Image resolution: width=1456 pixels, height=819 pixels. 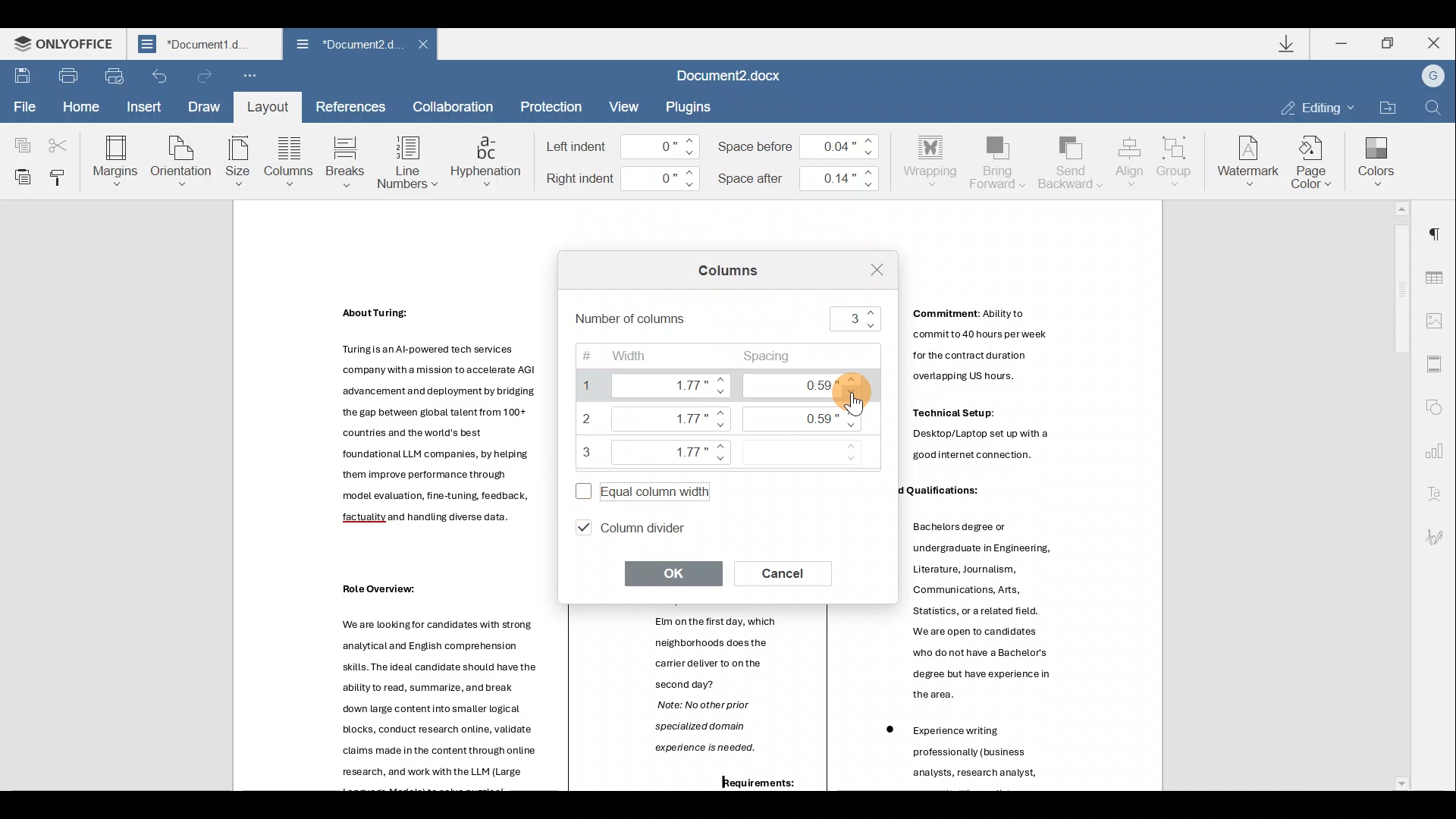 What do you see at coordinates (623, 179) in the screenshot?
I see `Right indent` at bounding box center [623, 179].